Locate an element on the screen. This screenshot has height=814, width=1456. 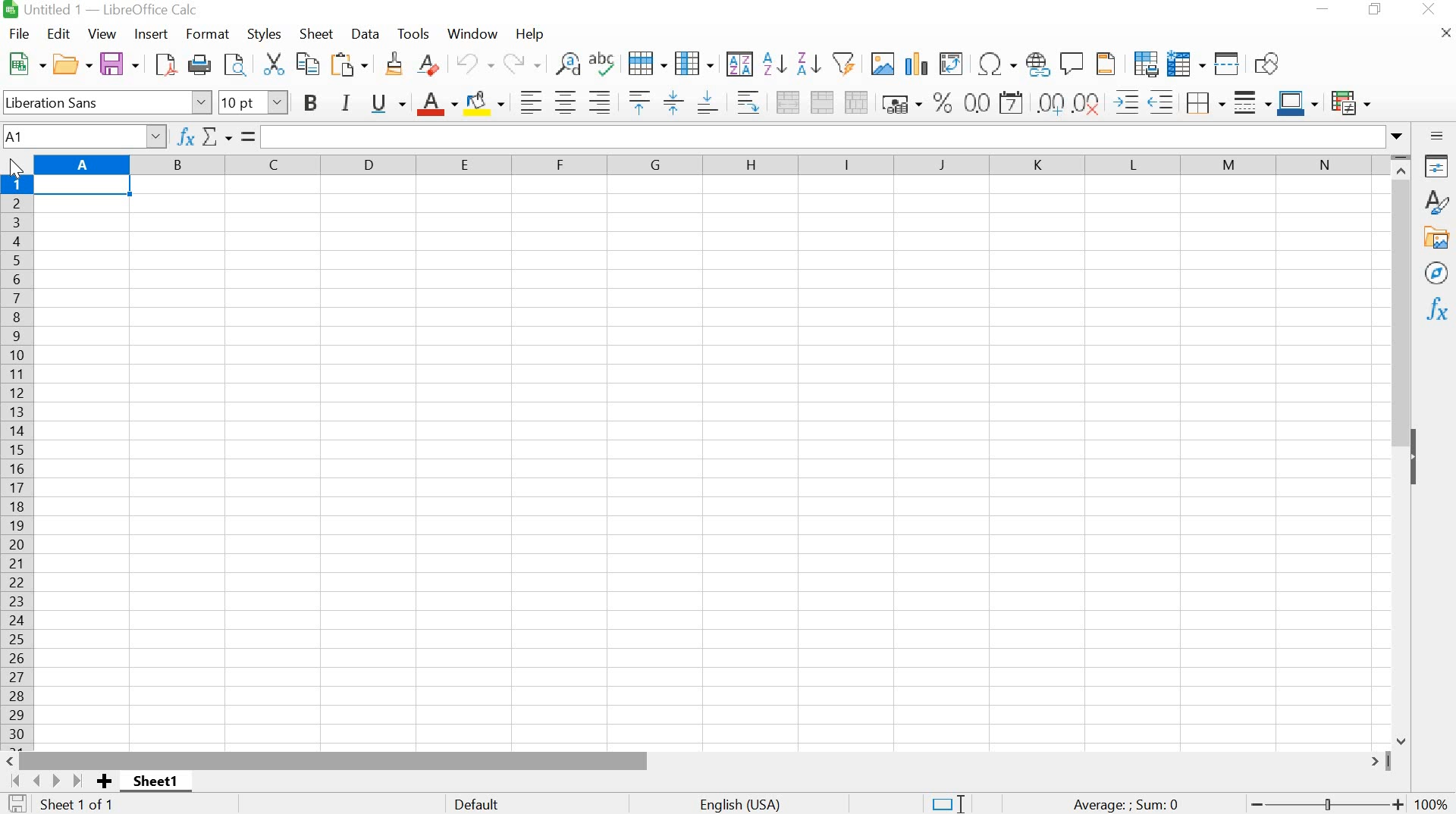
DATA is located at coordinates (368, 33).